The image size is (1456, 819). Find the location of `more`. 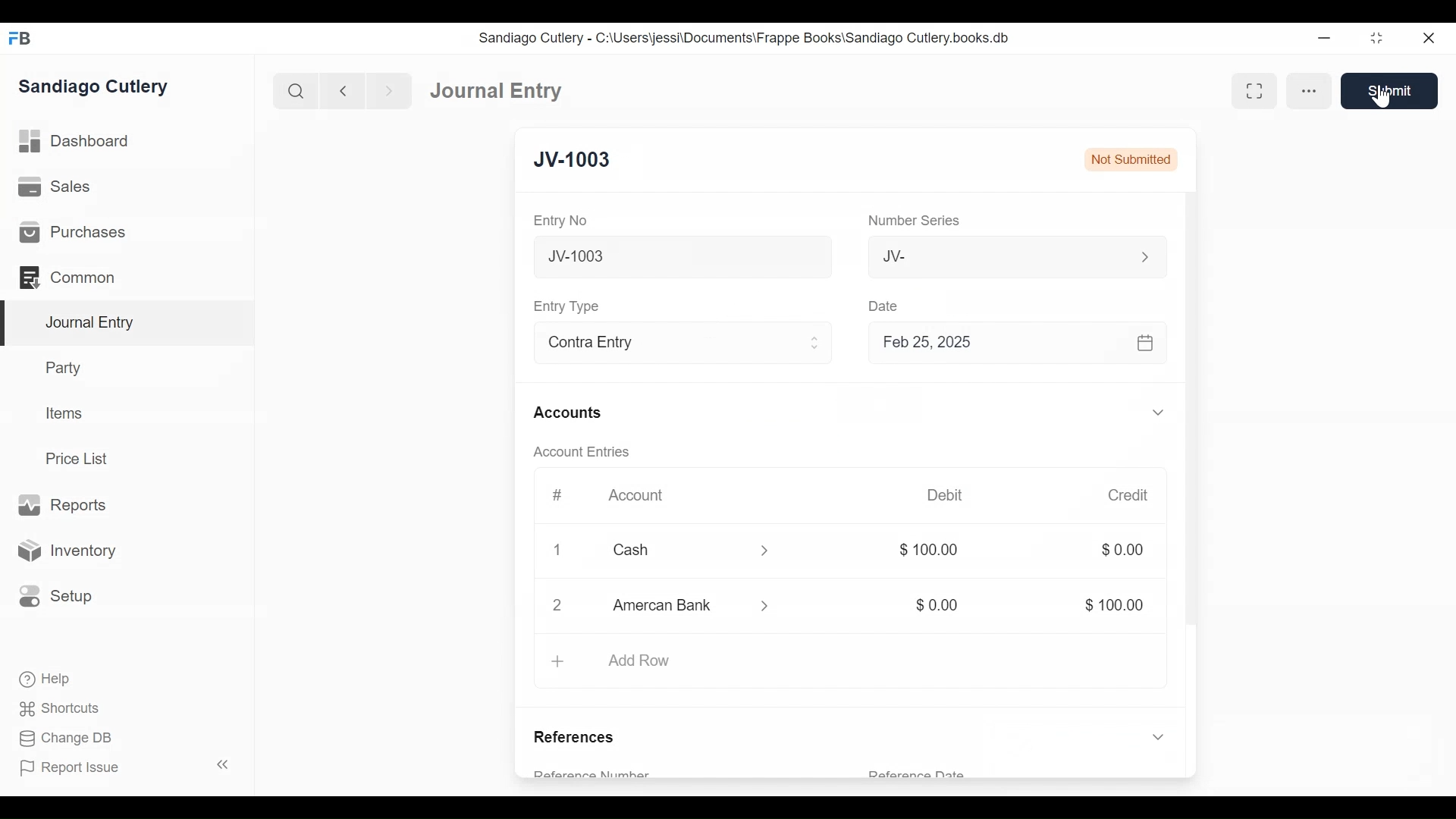

more is located at coordinates (1309, 89).